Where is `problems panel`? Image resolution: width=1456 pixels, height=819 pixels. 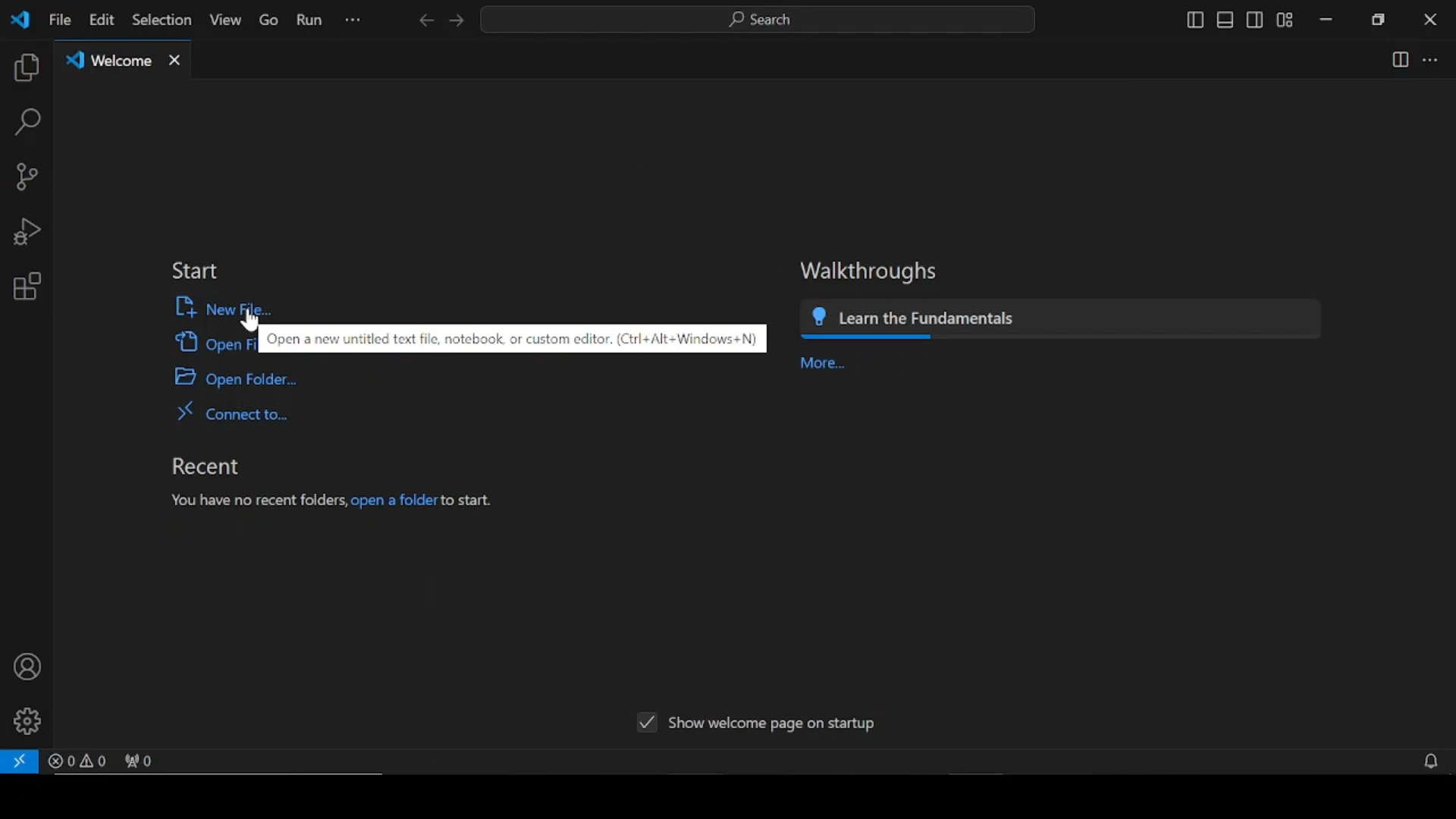 problems panel is located at coordinates (77, 760).